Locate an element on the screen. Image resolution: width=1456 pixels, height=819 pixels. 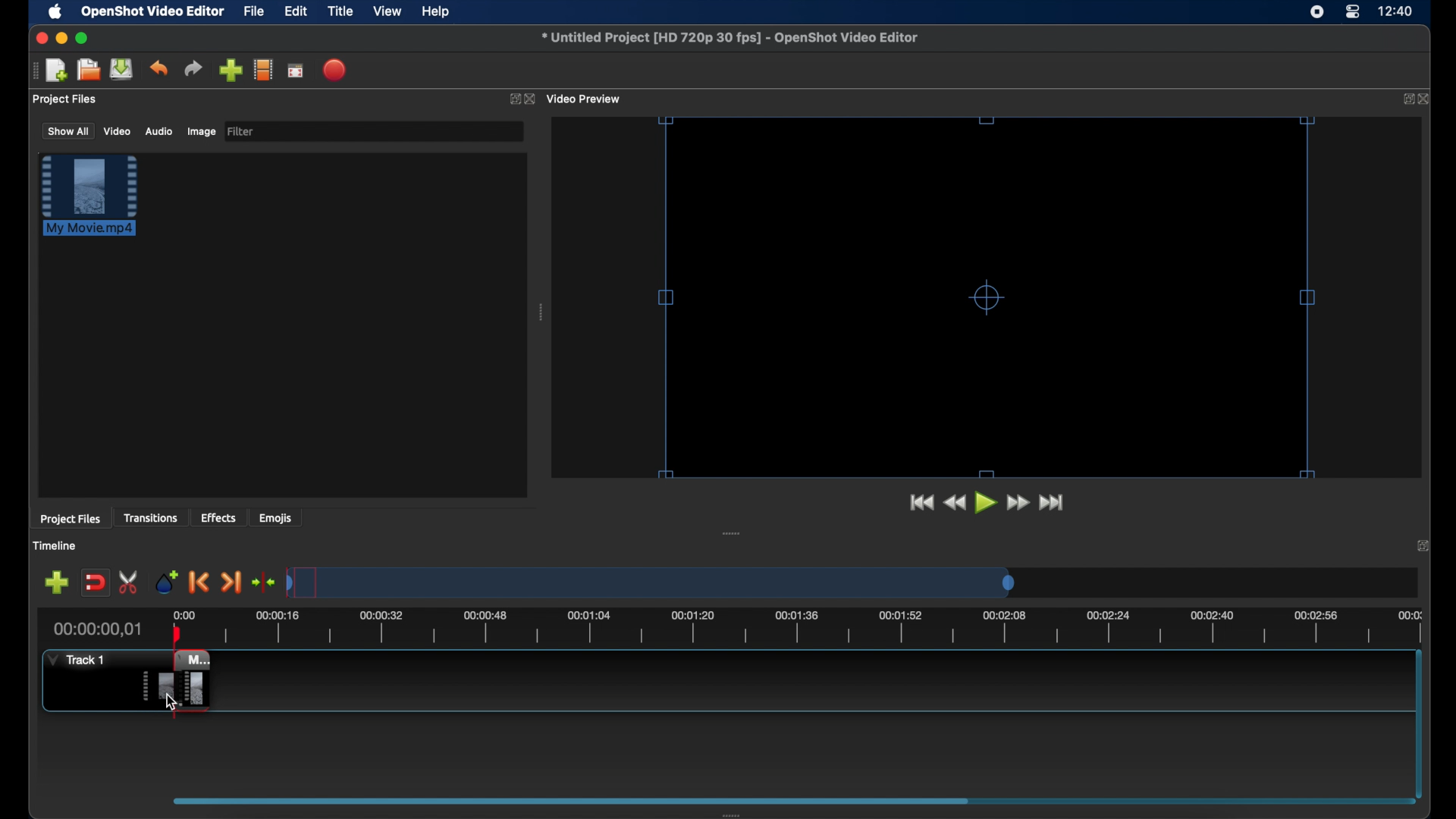
resize  handles is located at coordinates (998, 295).